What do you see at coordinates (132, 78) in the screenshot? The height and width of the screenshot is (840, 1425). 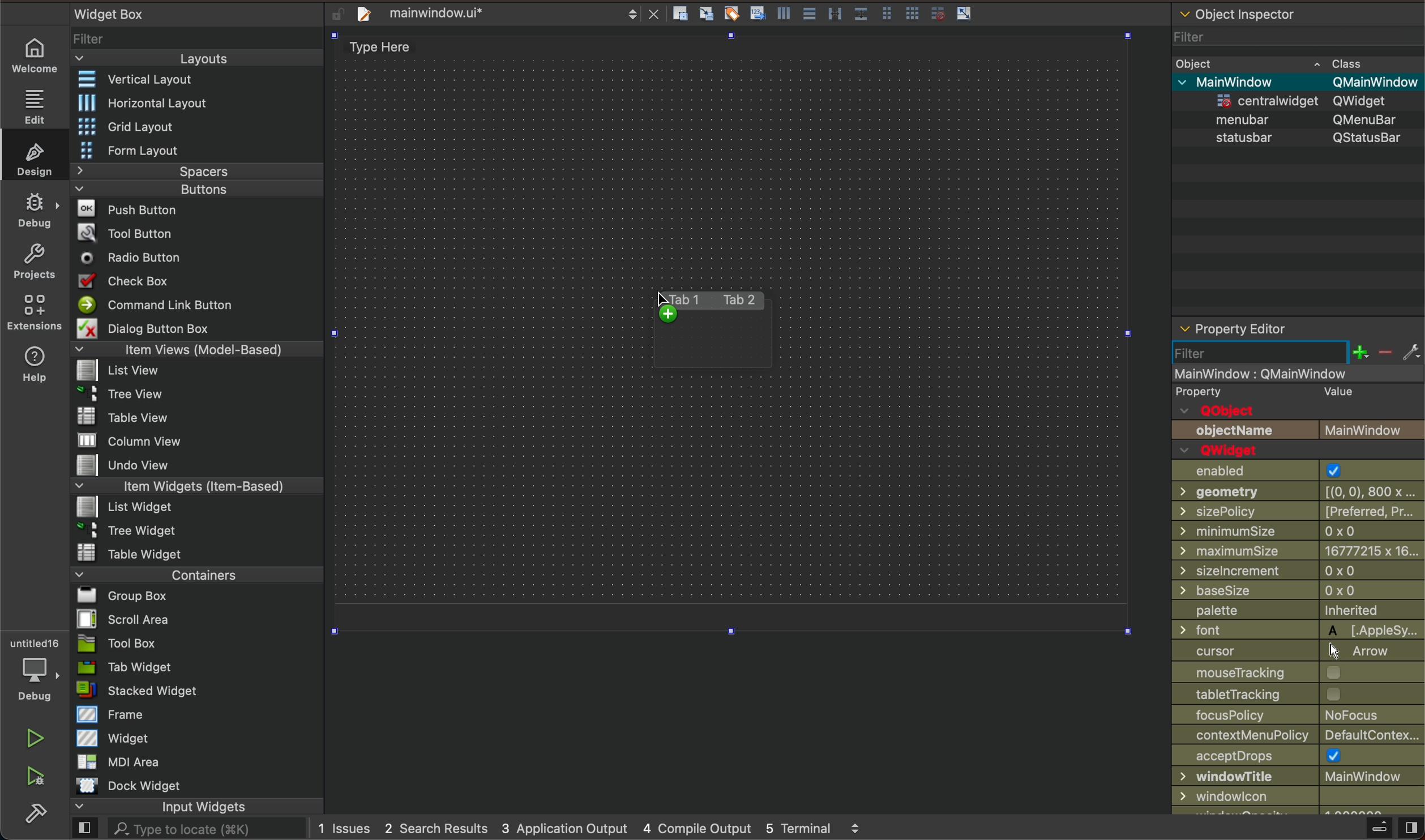 I see `Vertical Layout` at bounding box center [132, 78].